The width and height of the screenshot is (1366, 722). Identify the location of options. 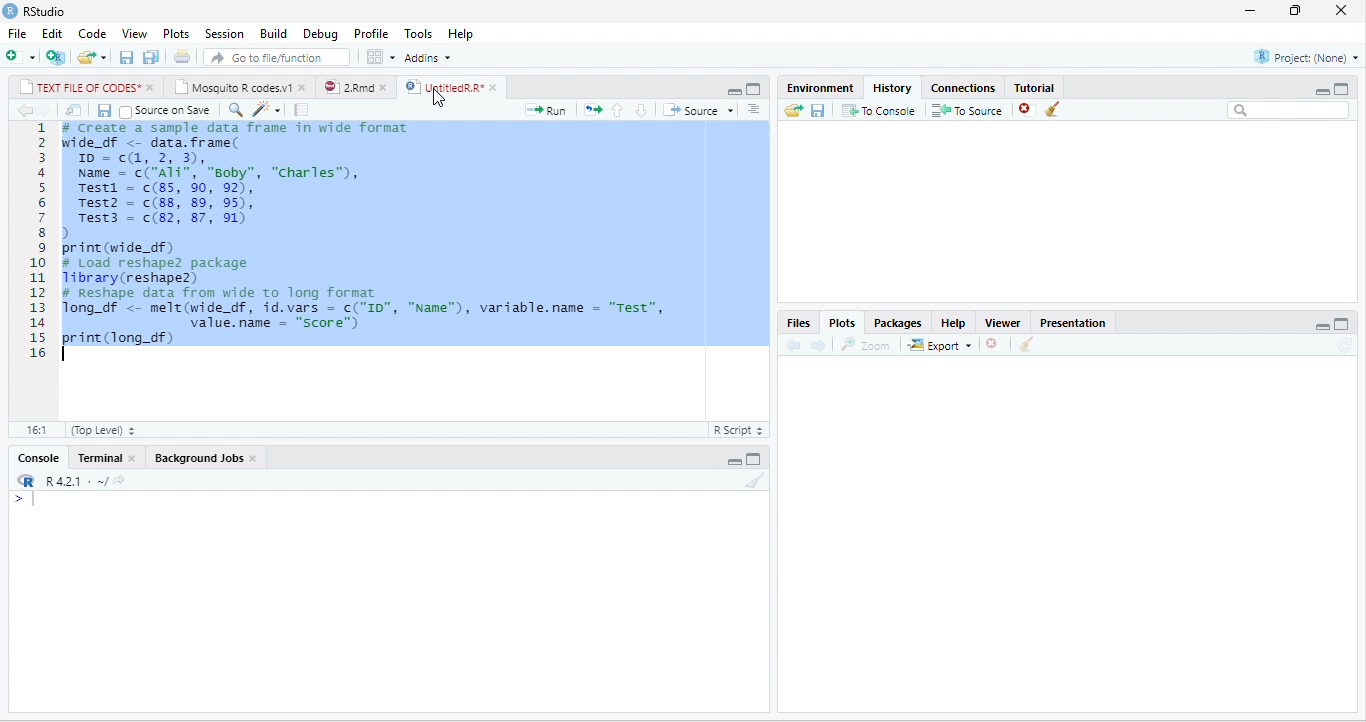
(381, 57).